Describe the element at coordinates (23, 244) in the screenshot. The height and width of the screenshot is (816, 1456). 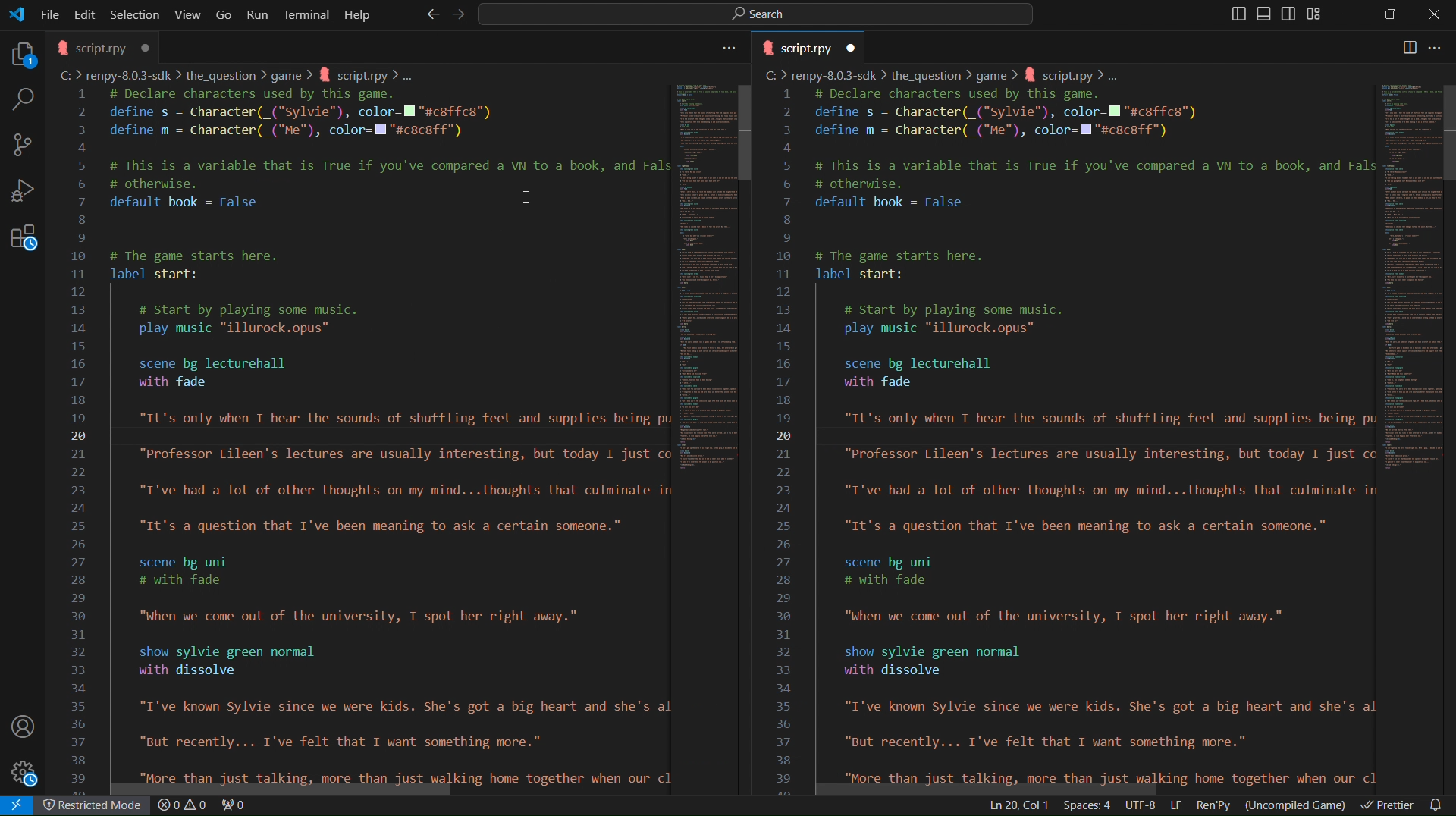
I see `Extensions` at that location.